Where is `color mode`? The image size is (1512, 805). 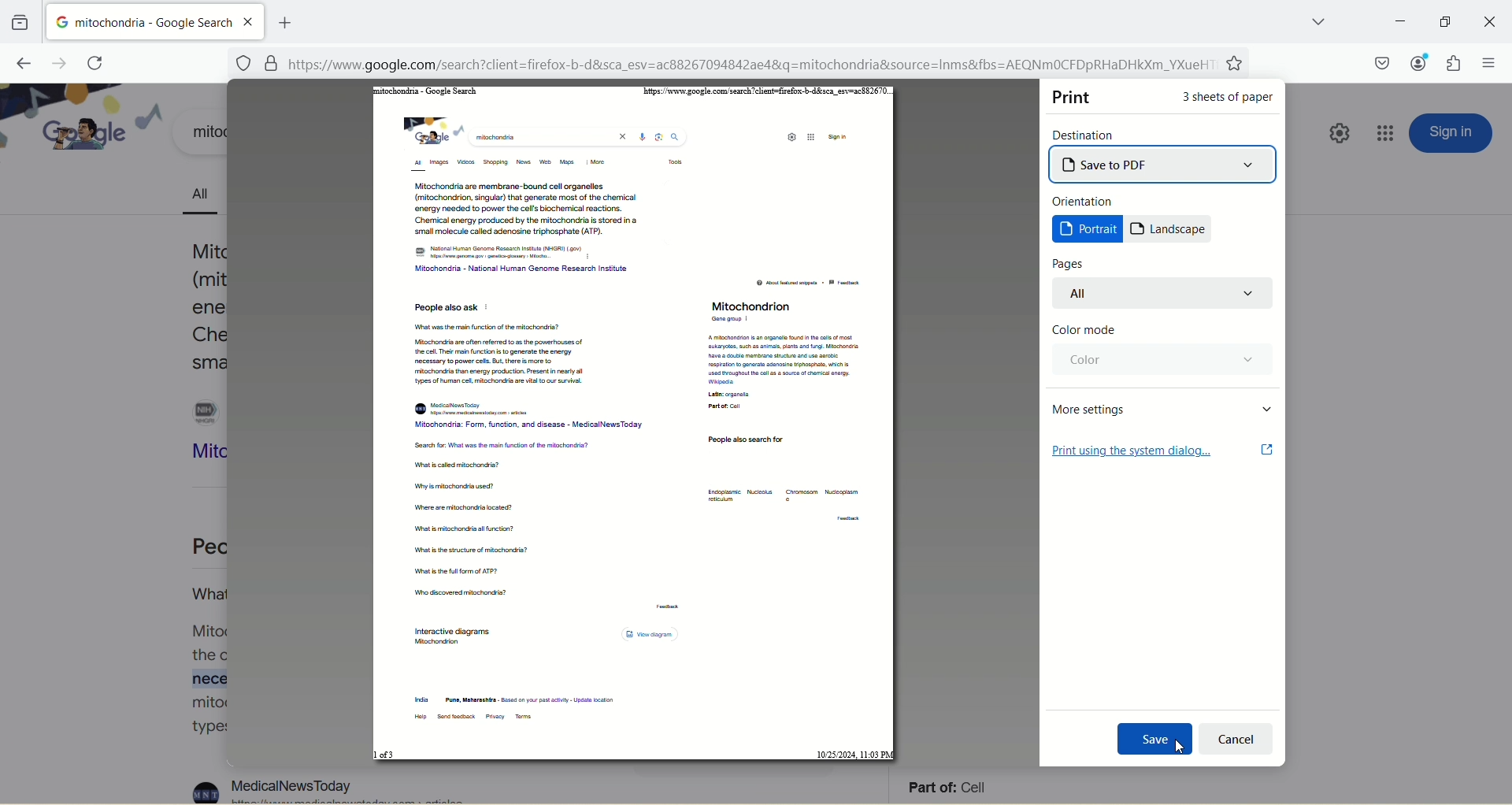 color mode is located at coordinates (1084, 331).